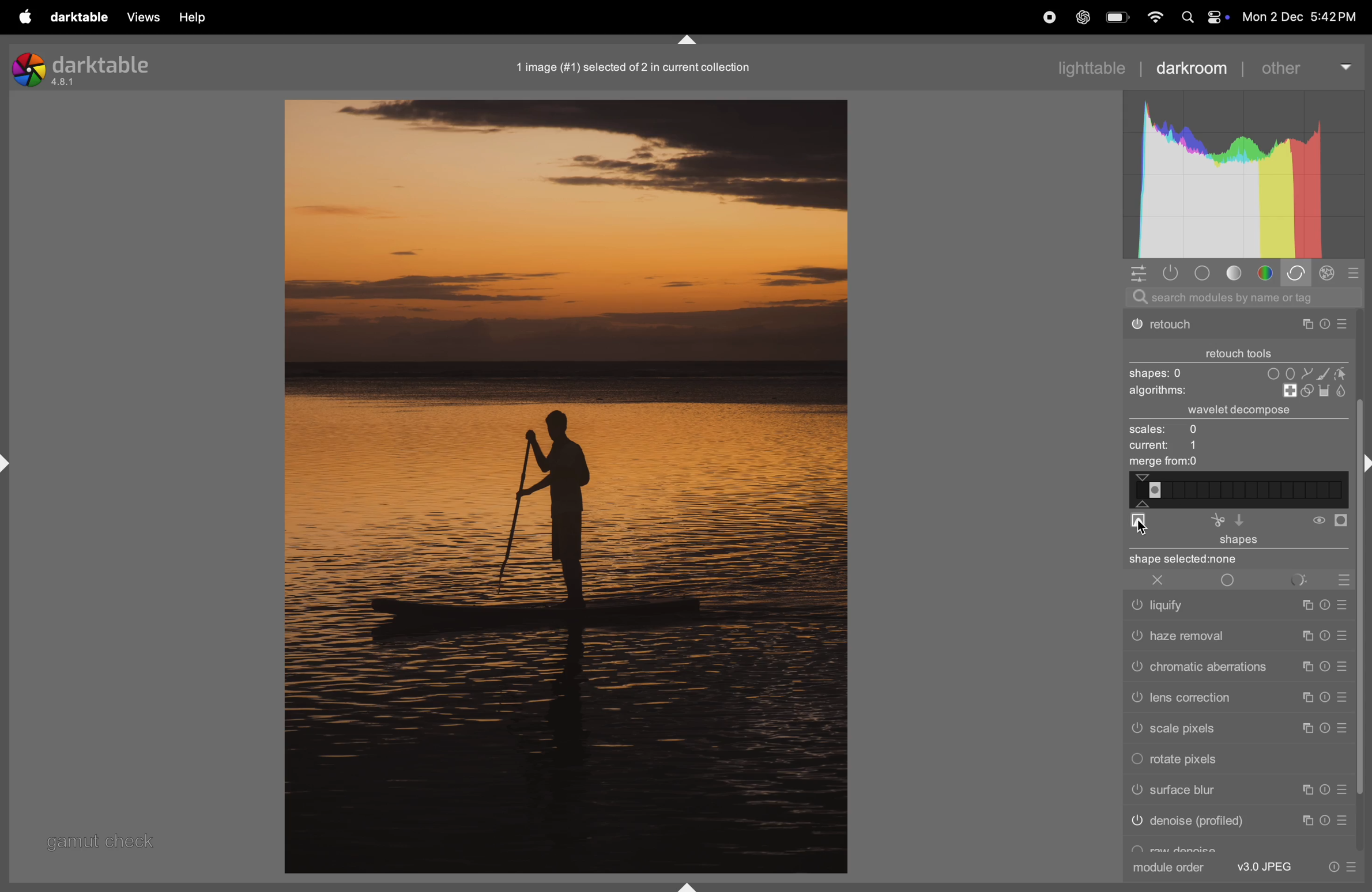 The height and width of the screenshot is (892, 1372). What do you see at coordinates (1298, 274) in the screenshot?
I see `correct` at bounding box center [1298, 274].